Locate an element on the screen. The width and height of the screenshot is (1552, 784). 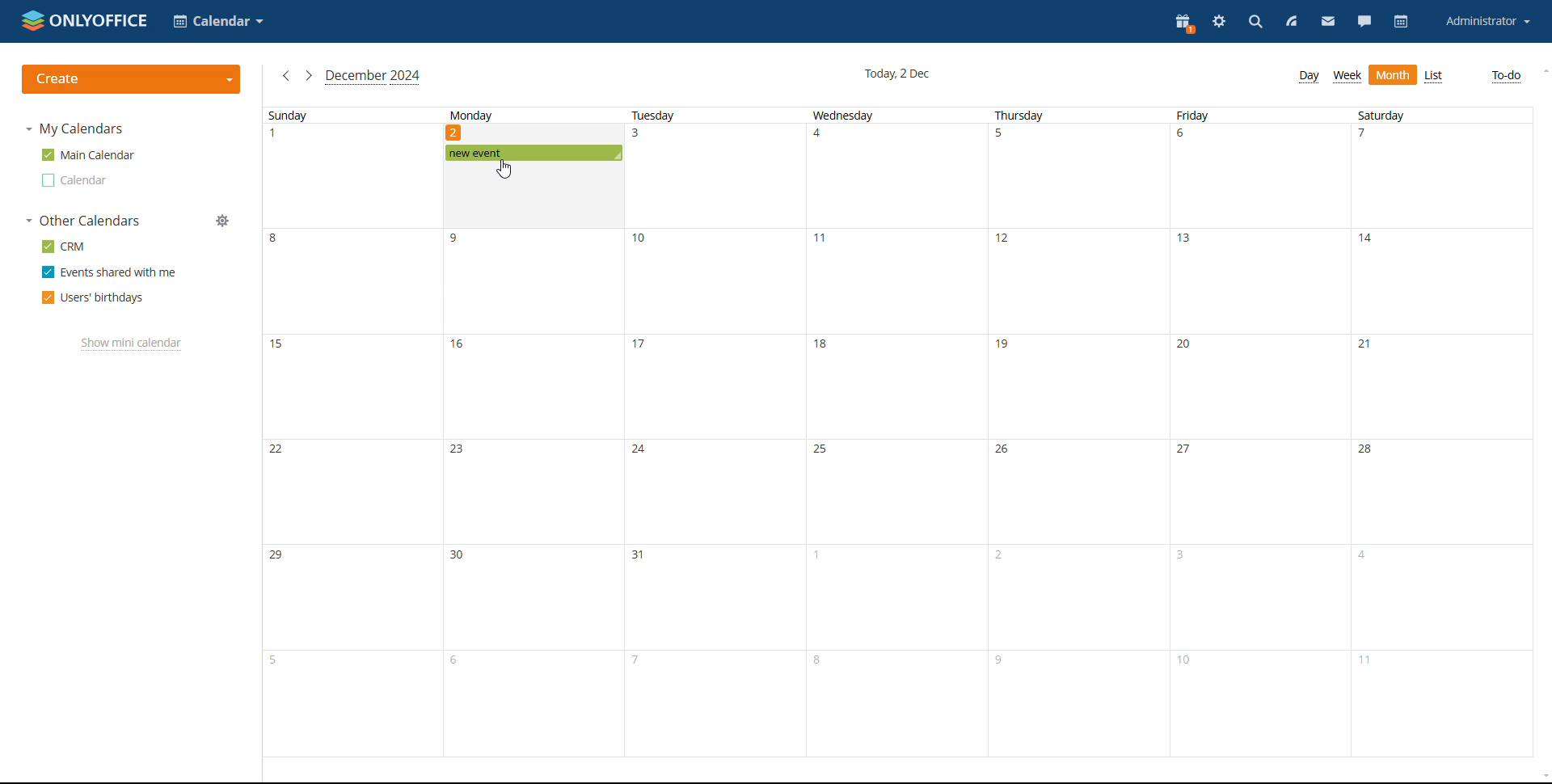
present is located at coordinates (1183, 23).